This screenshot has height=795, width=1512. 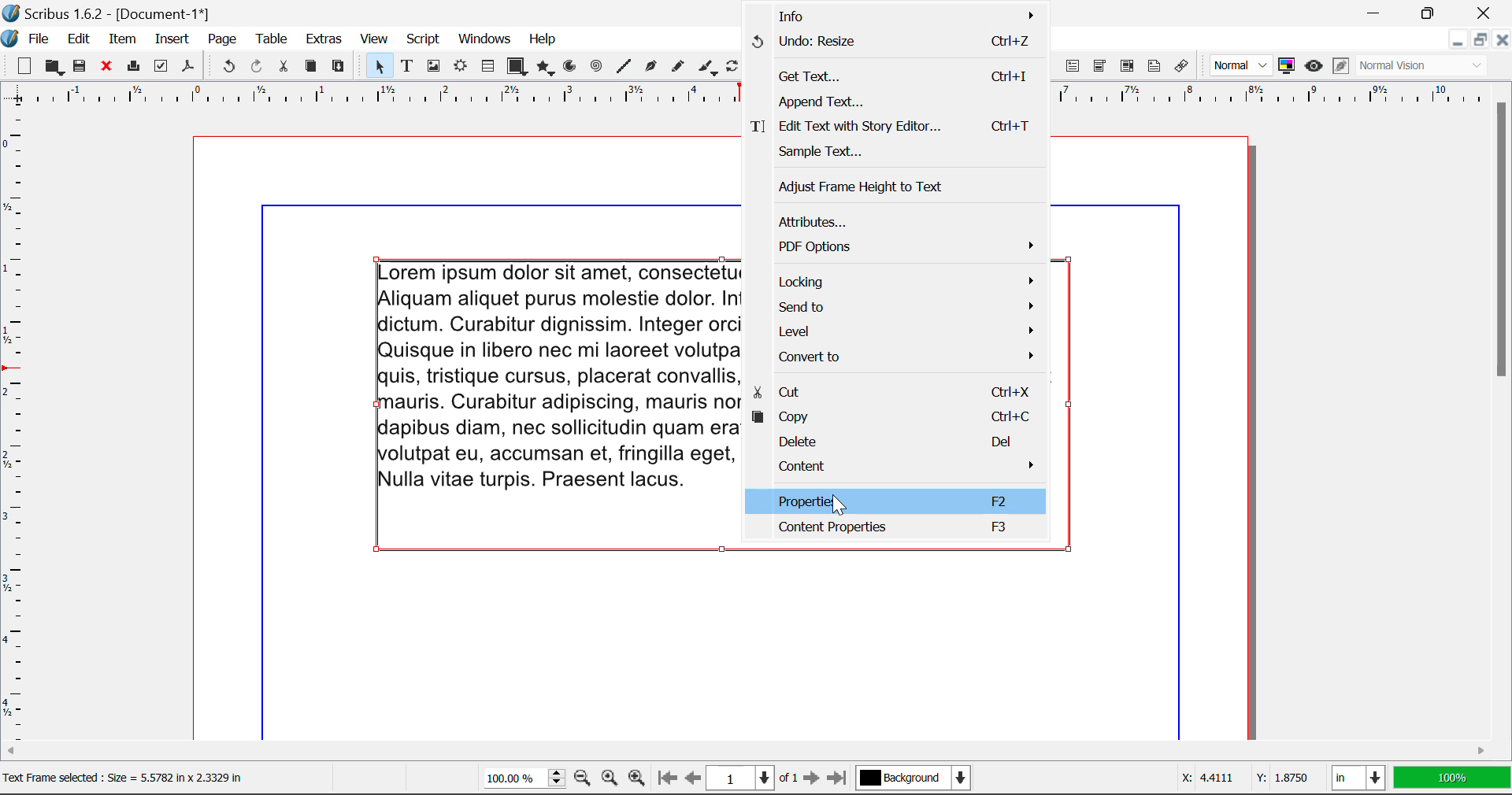 I want to click on Lorem ipsum dolor sit amet, consectetuer adipiscing elit. Ut a sapien.
liquam aliquet purus molestie dolor. Integer quis eros ut erat posuere
ictum. Curabitur dignissim. Integer orci. Fusce vulputate lacus at ipsum.
uisque in libero nec mi laoreet volutpat. Aliquam eros pede, scelerisque
uis, tristique cursus, placerat convallis] velit. Nam condimentum. Nulla ut
auris. Curabitur adipiscing, mauris non dictum aliquam, arcu risus
apibus diam, nec sollicitudin quam erat quis ligula. Aenean massa nulla,
olutpat eu, accumsan et, fringilla eget, odio. Nulla placerat porta justo.

Nulla vitae turpis. Praesent lacus., so click(x=559, y=404).